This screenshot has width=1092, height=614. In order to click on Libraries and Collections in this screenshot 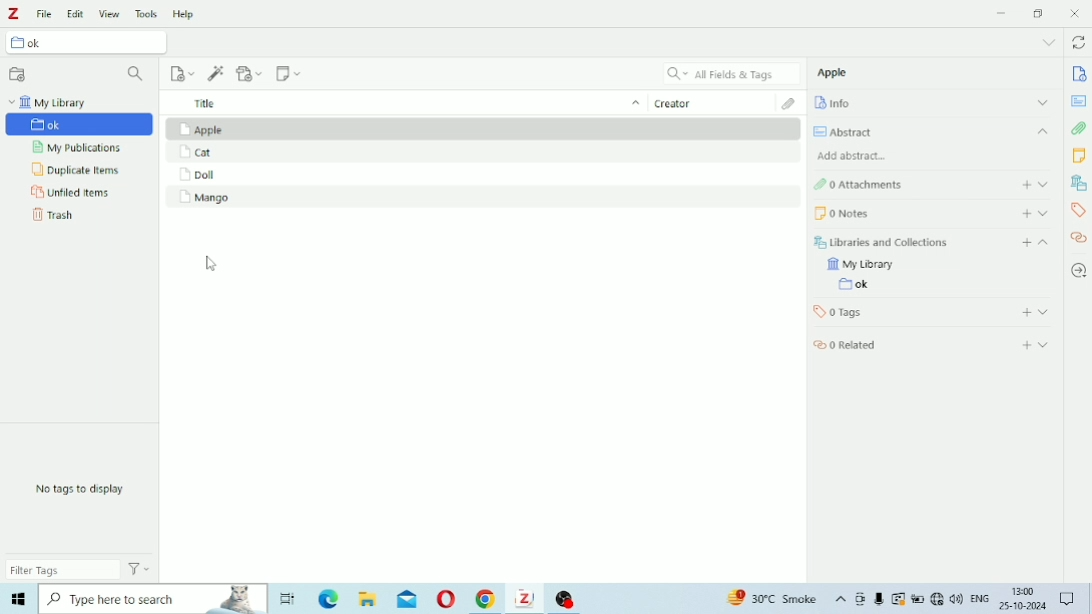, I will do `click(880, 242)`.